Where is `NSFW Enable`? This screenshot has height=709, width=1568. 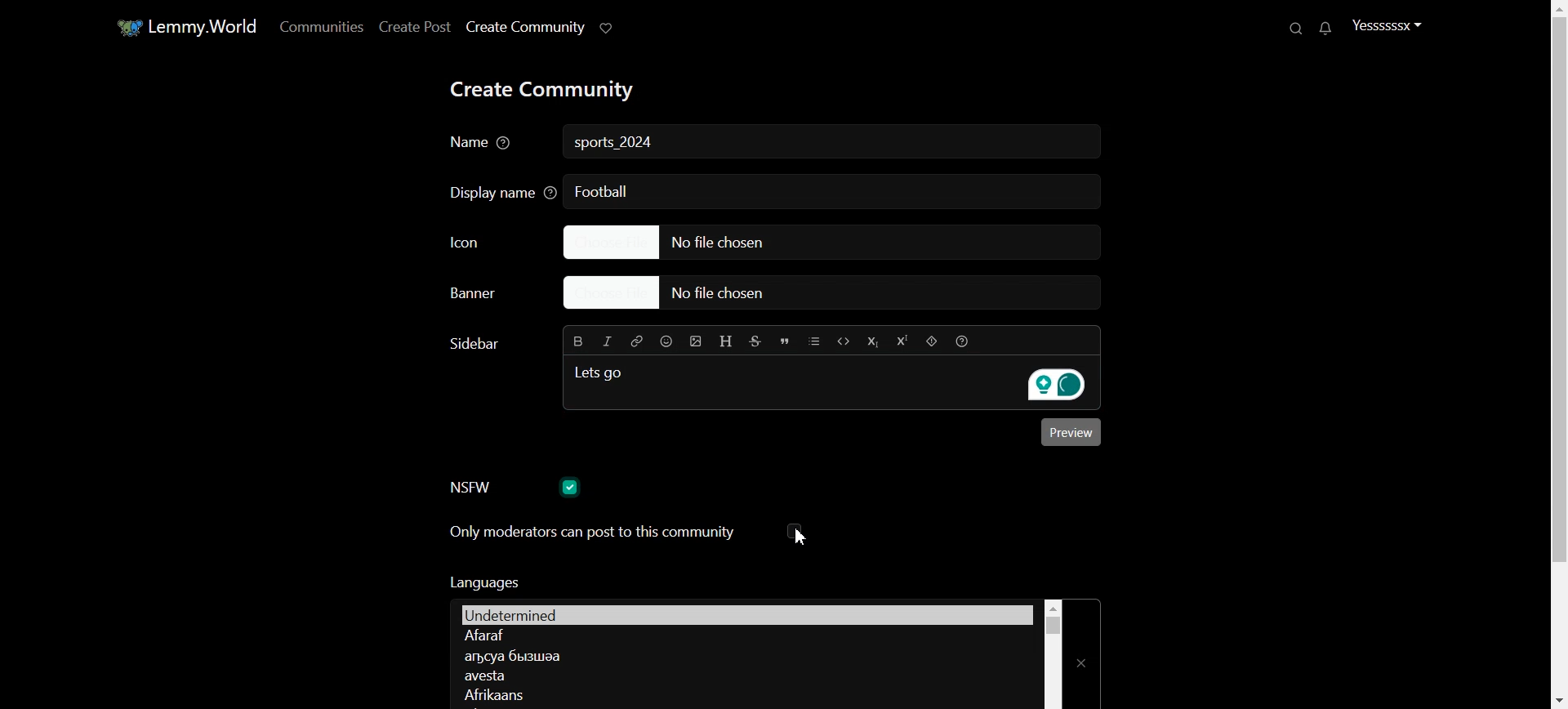 NSFW Enable is located at coordinates (516, 489).